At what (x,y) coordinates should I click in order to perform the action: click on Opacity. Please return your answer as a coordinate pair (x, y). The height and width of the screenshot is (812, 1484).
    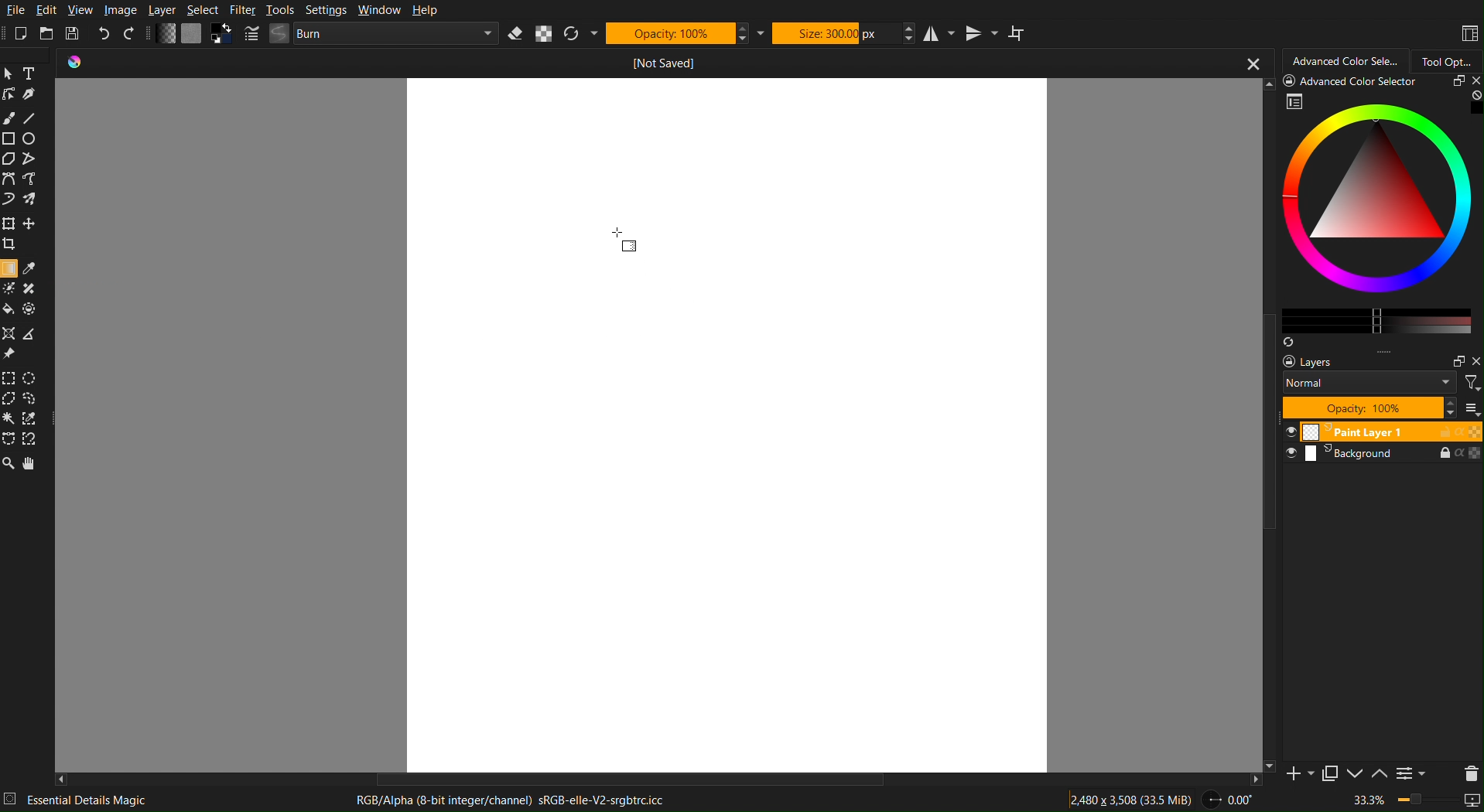
    Looking at the image, I should click on (676, 32).